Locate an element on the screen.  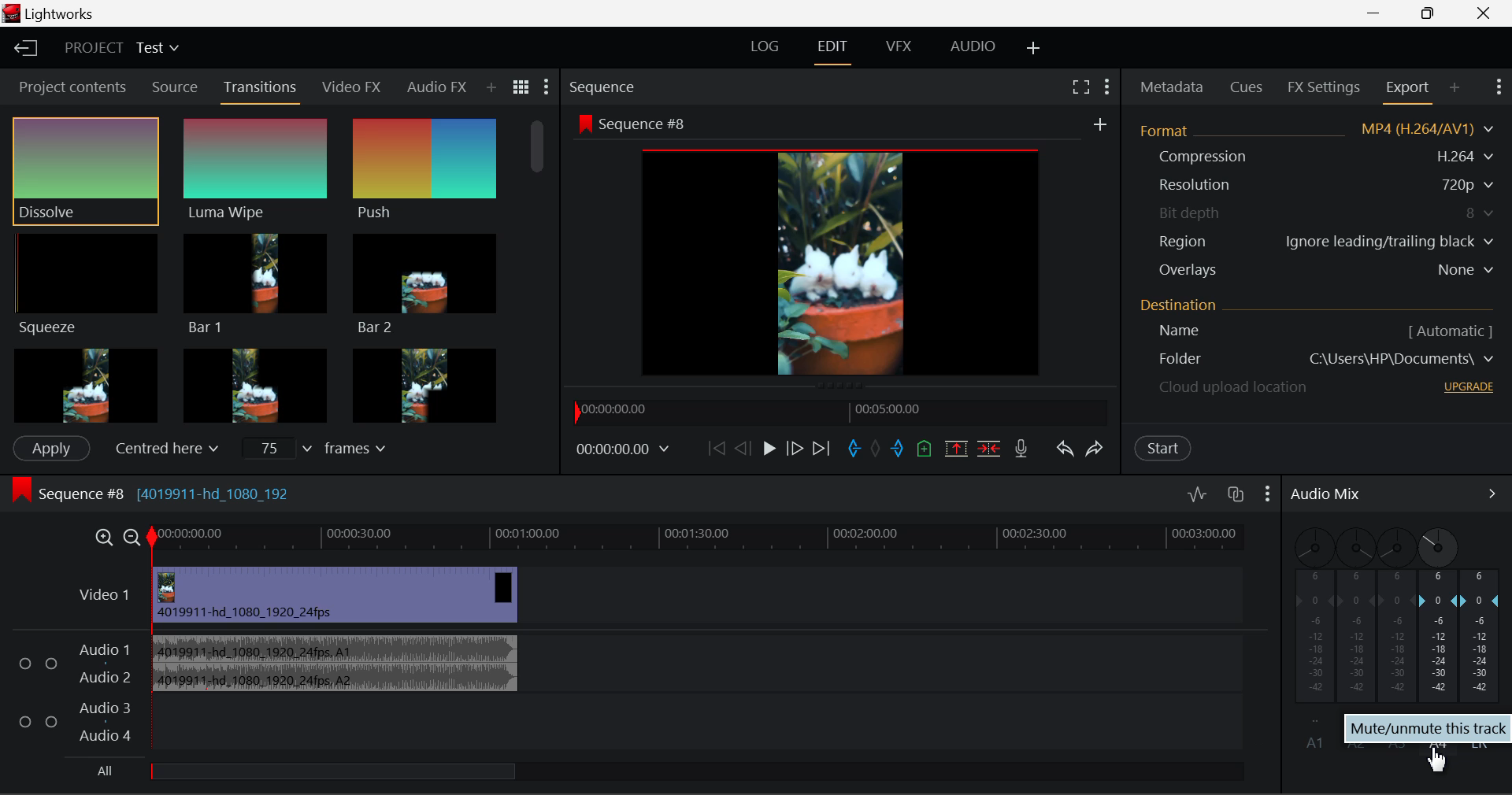
Timeline Zoom In is located at coordinates (103, 538).